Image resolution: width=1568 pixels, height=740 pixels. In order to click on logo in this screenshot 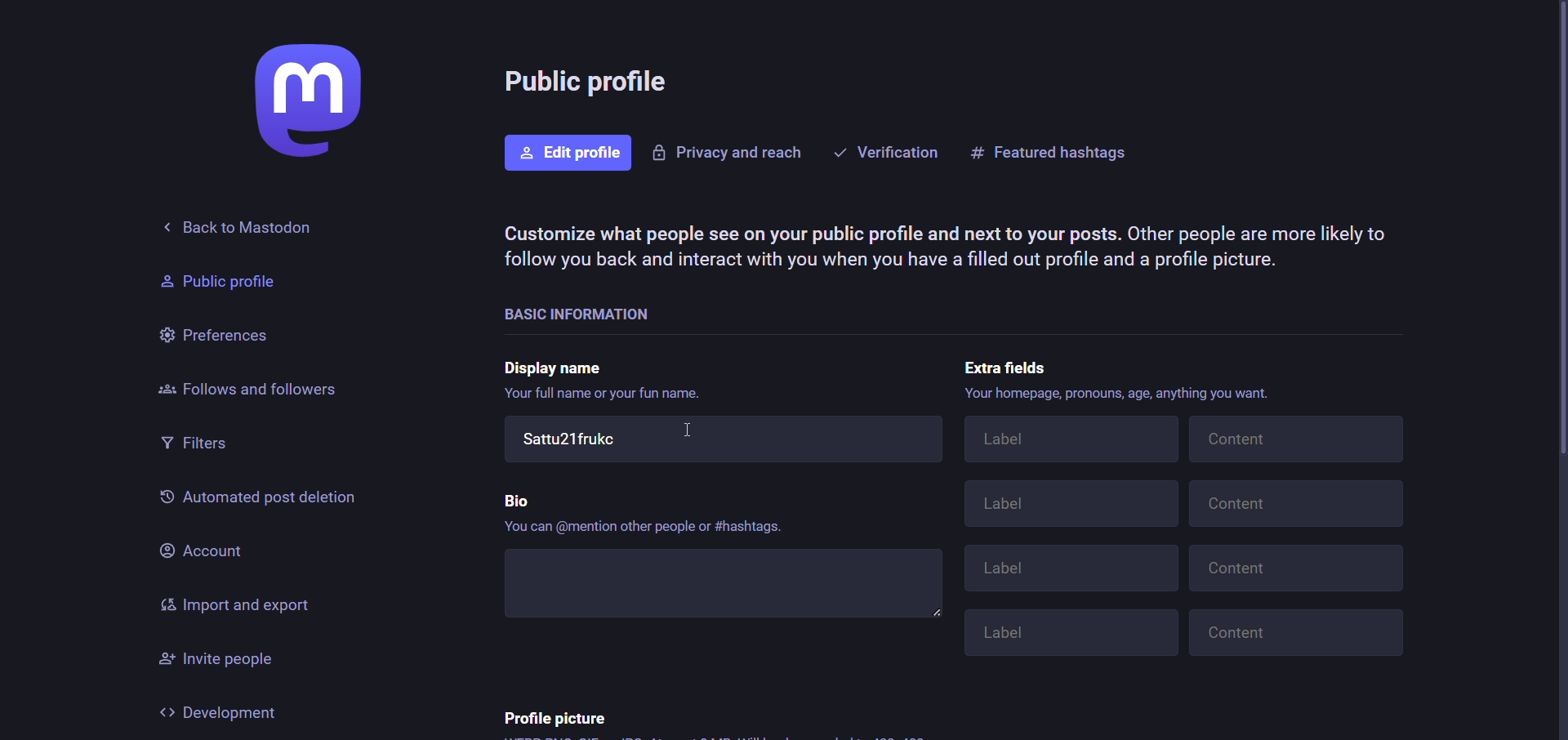, I will do `click(303, 102)`.